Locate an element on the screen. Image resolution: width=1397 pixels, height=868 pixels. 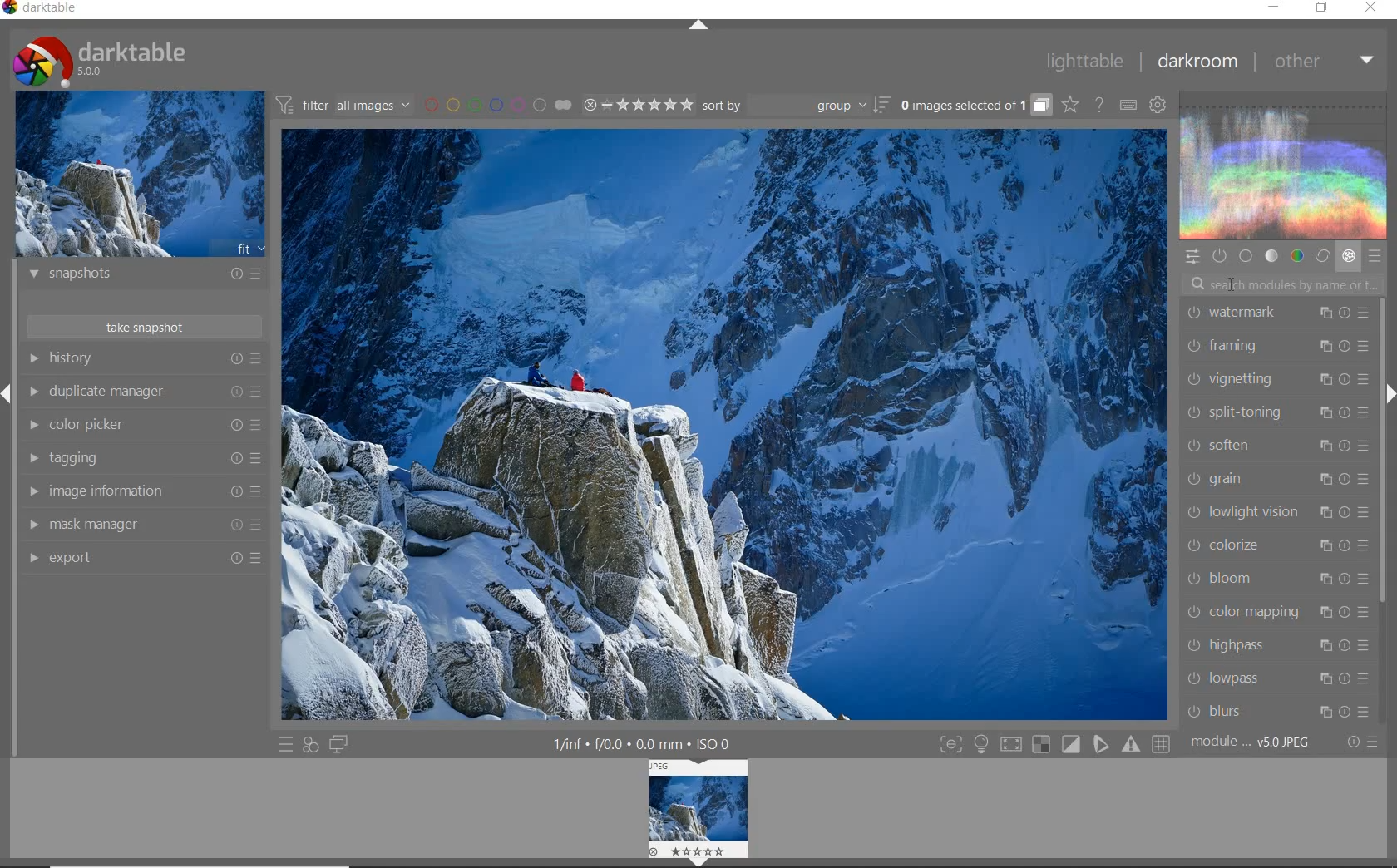
image information is located at coordinates (143, 491).